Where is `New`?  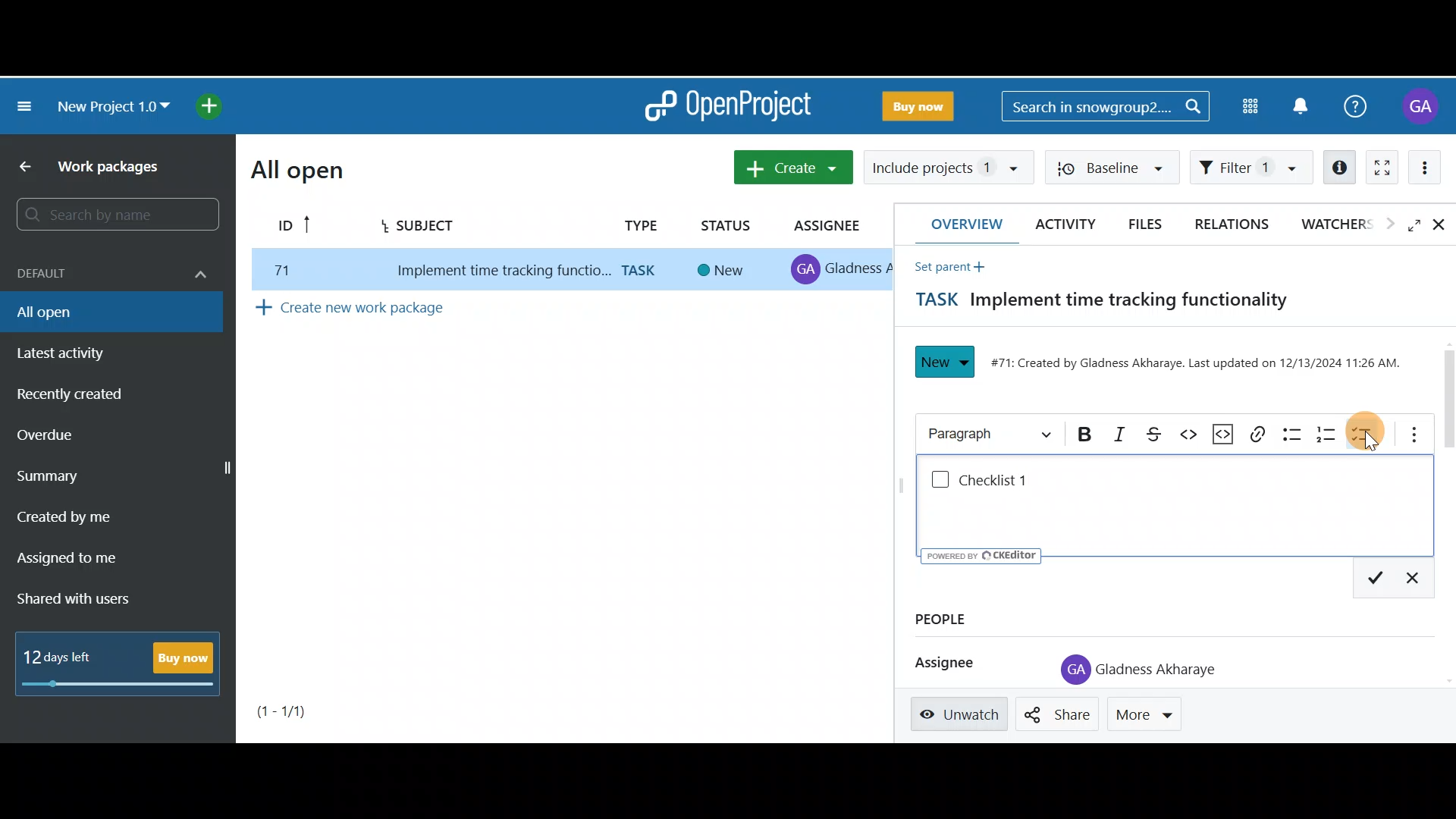 New is located at coordinates (946, 362).